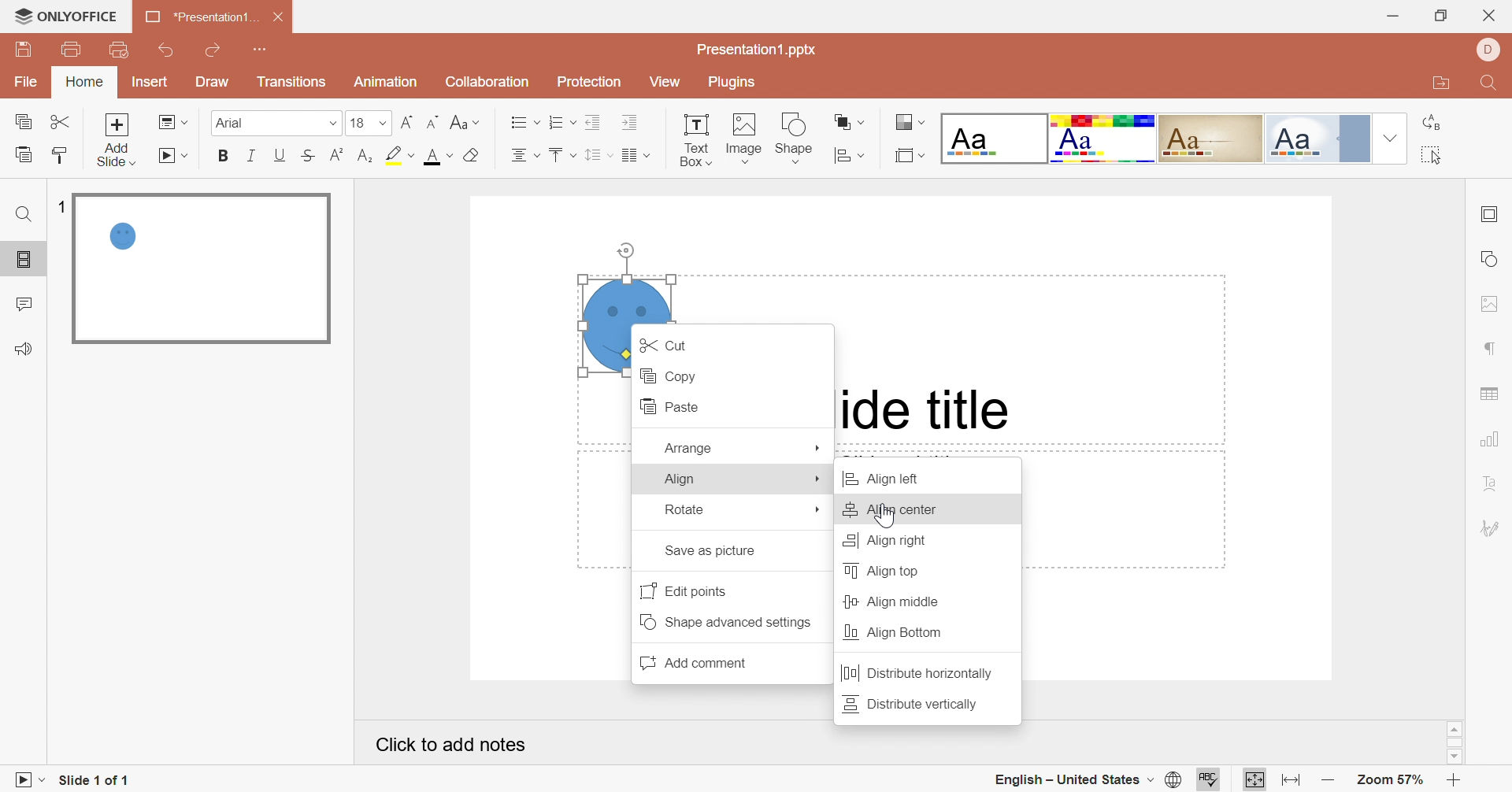 Image resolution: width=1512 pixels, height=792 pixels. I want to click on Change slide layout, so click(174, 121).